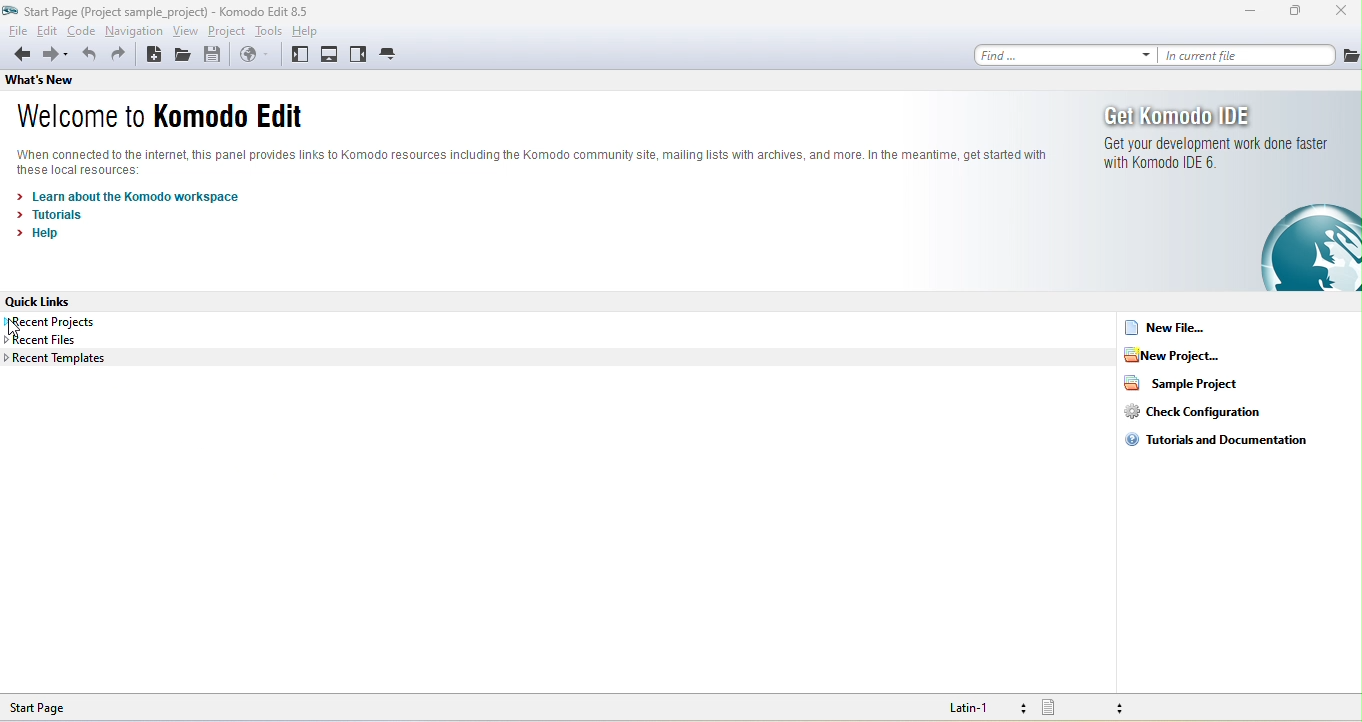 Image resolution: width=1362 pixels, height=722 pixels. Describe the element at coordinates (335, 54) in the screenshot. I see `bottom pane` at that location.